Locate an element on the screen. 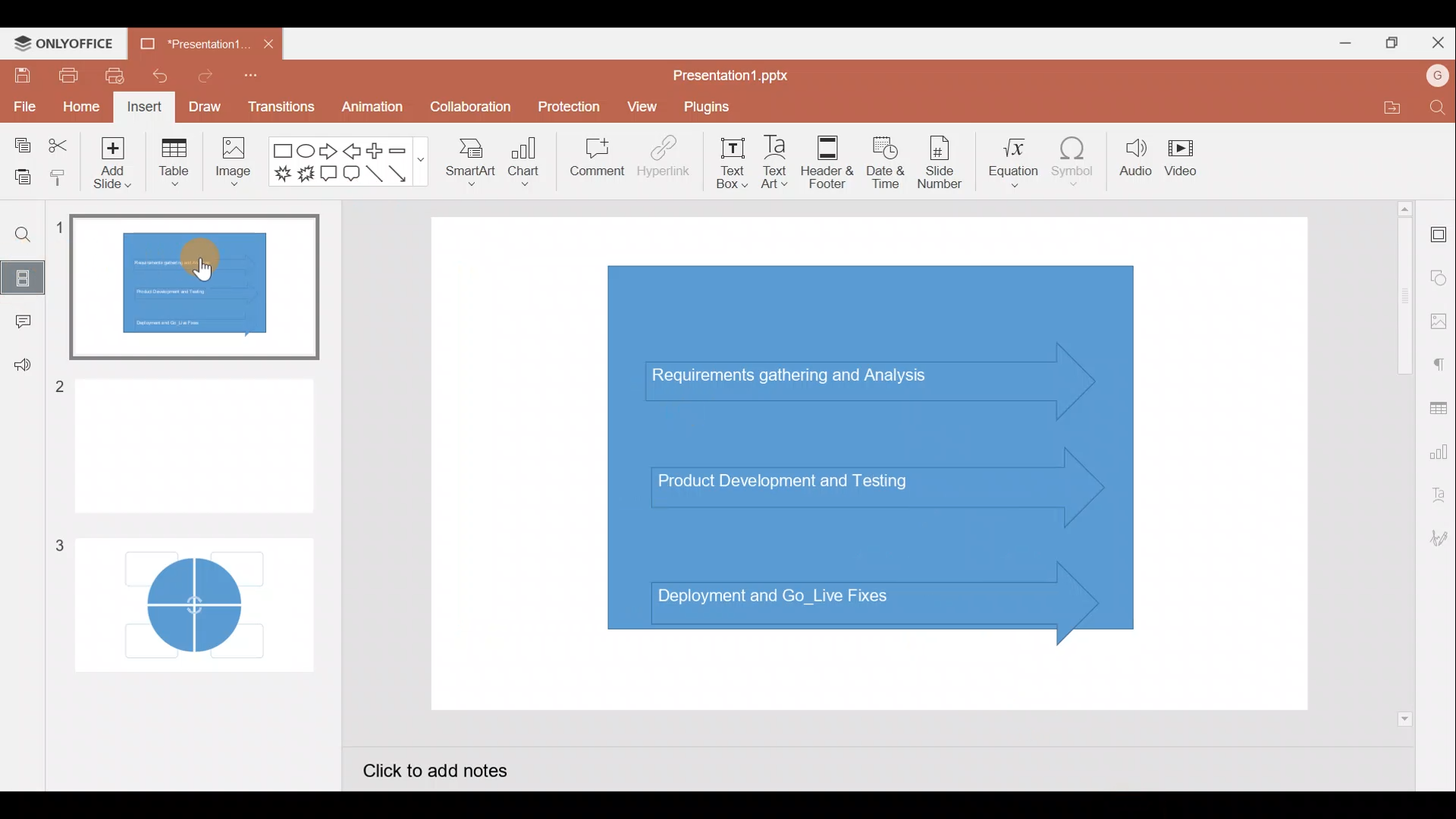  Slide settings is located at coordinates (1437, 236).